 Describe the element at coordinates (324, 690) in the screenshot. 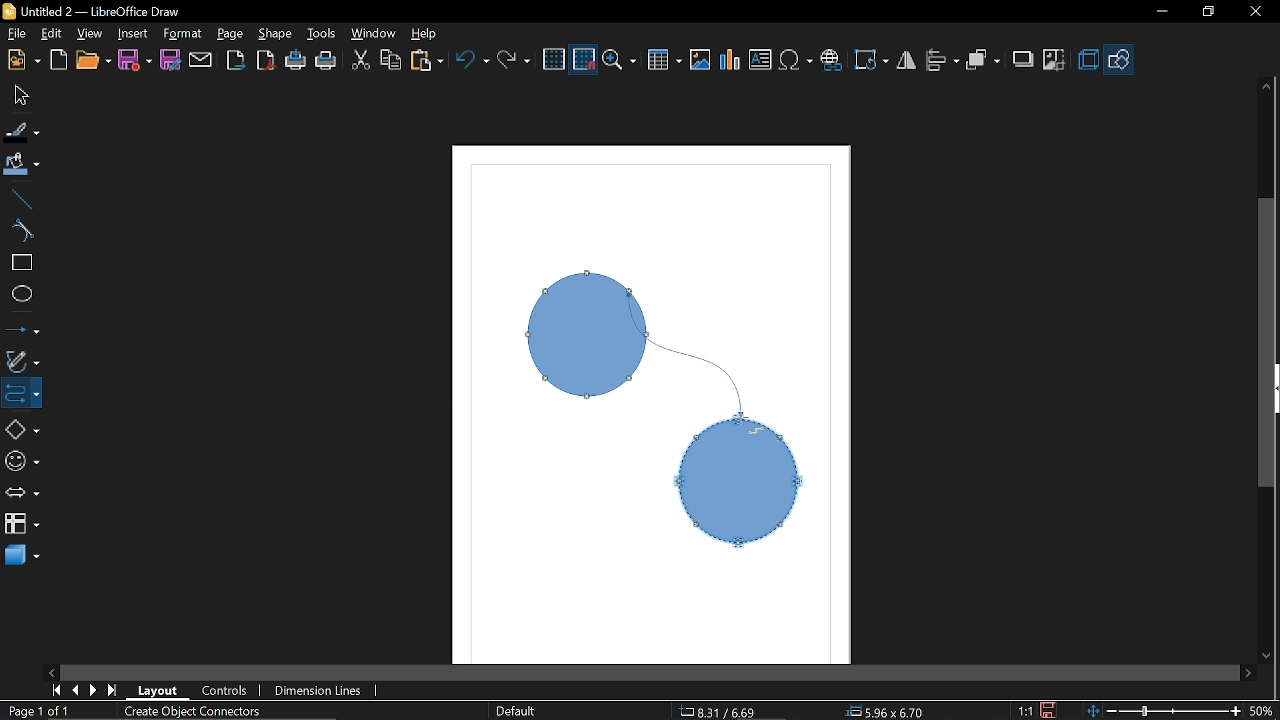

I see `Dimension lines` at that location.